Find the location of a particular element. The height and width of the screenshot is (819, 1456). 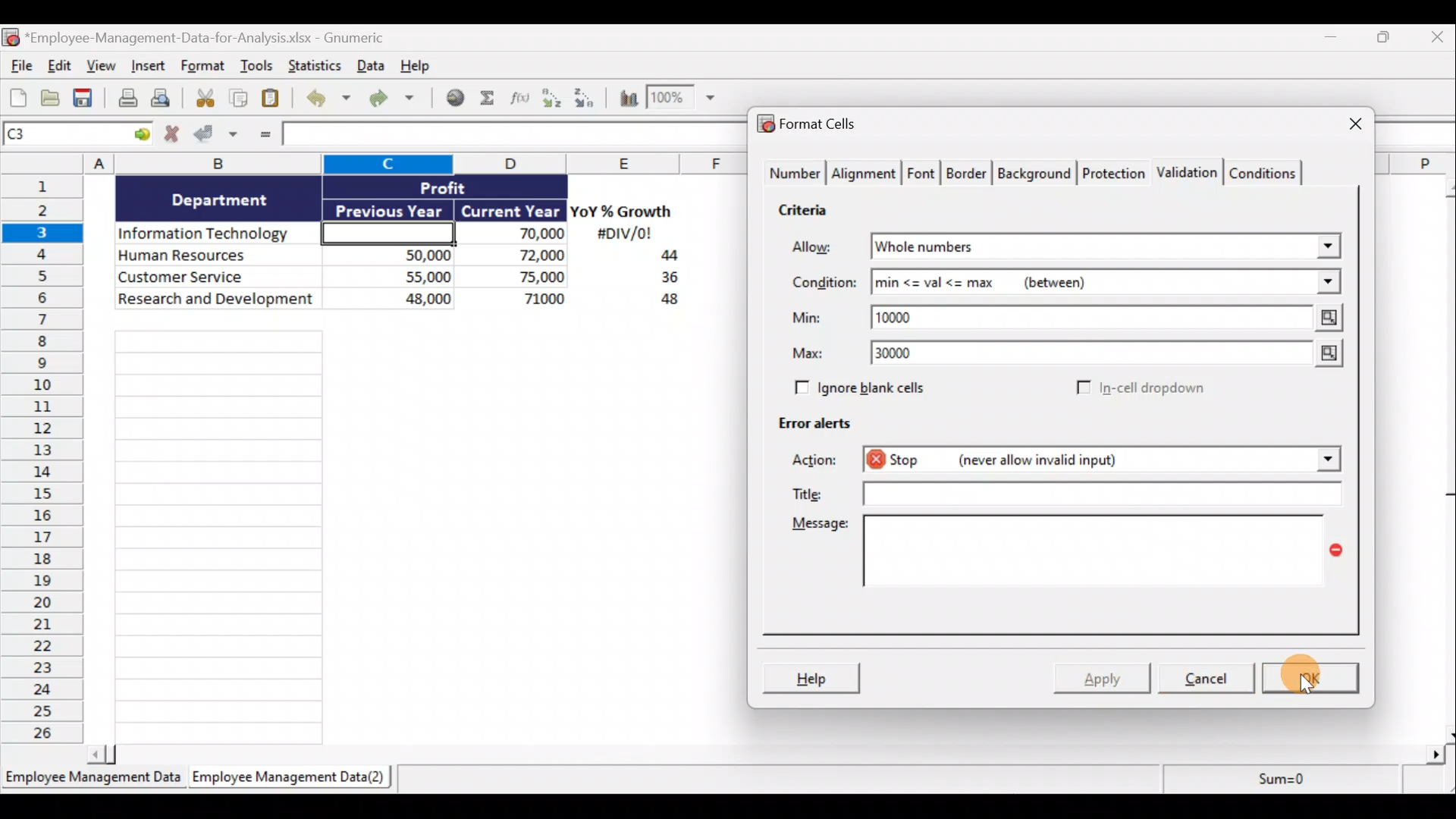

Cut selection is located at coordinates (204, 99).